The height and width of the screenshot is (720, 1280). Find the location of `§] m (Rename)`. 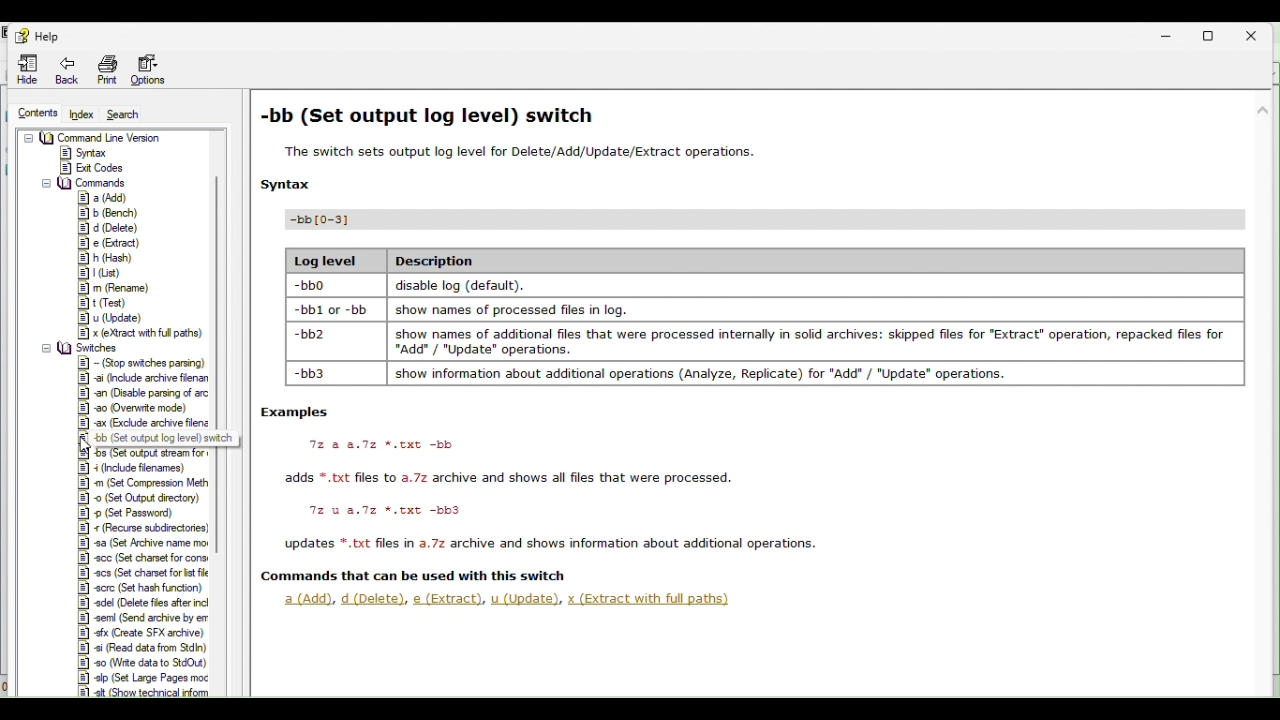

§] m (Rename) is located at coordinates (117, 288).